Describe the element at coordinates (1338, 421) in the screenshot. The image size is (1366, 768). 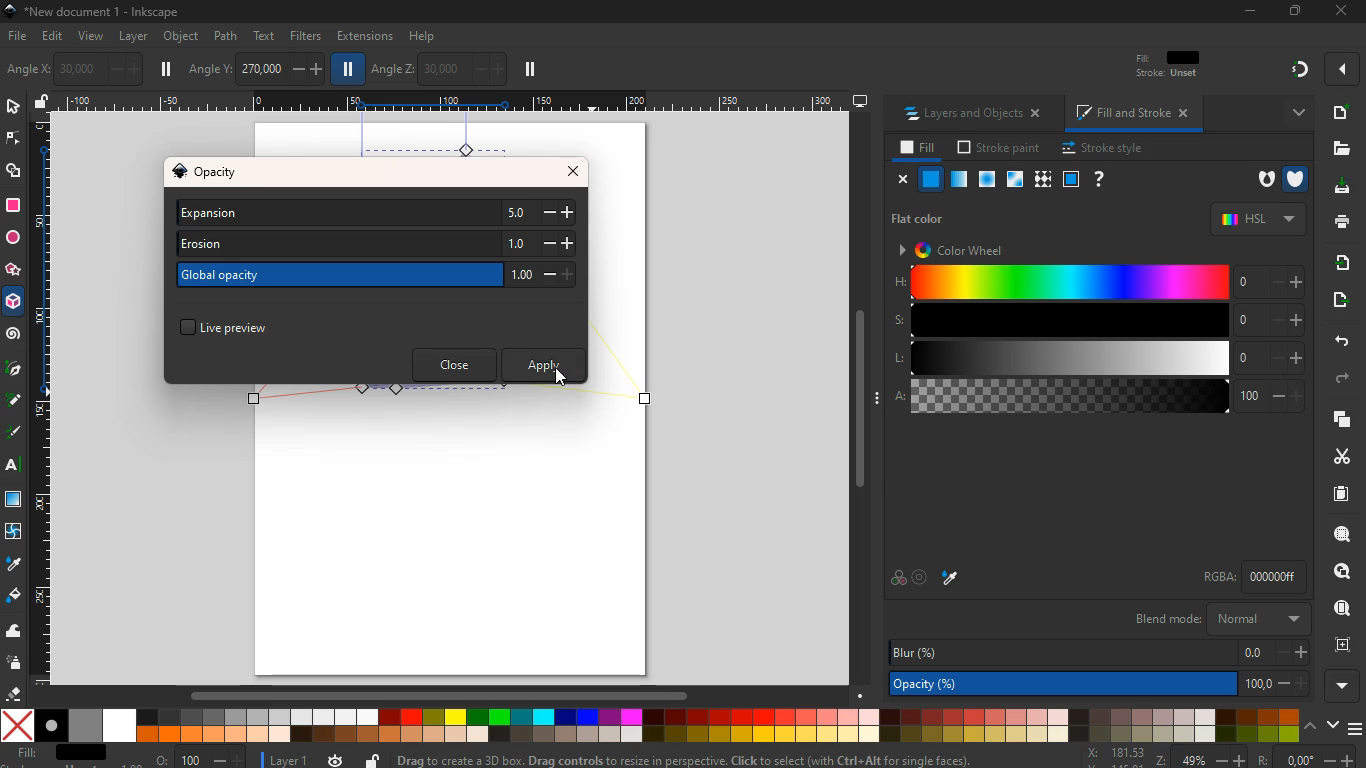
I see `layers` at that location.